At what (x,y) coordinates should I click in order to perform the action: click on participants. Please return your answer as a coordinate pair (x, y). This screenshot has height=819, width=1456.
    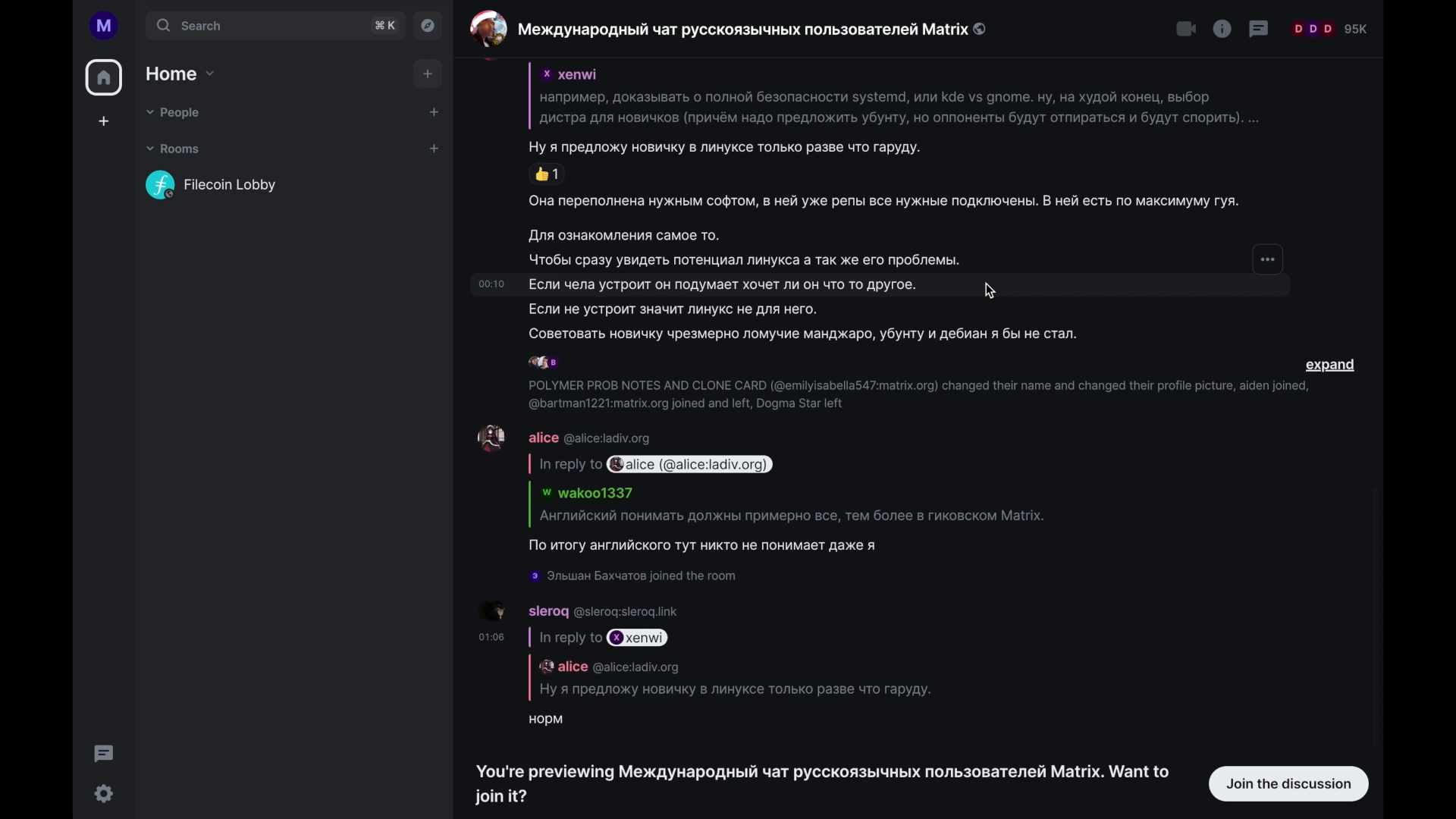
    Looking at the image, I should click on (545, 361).